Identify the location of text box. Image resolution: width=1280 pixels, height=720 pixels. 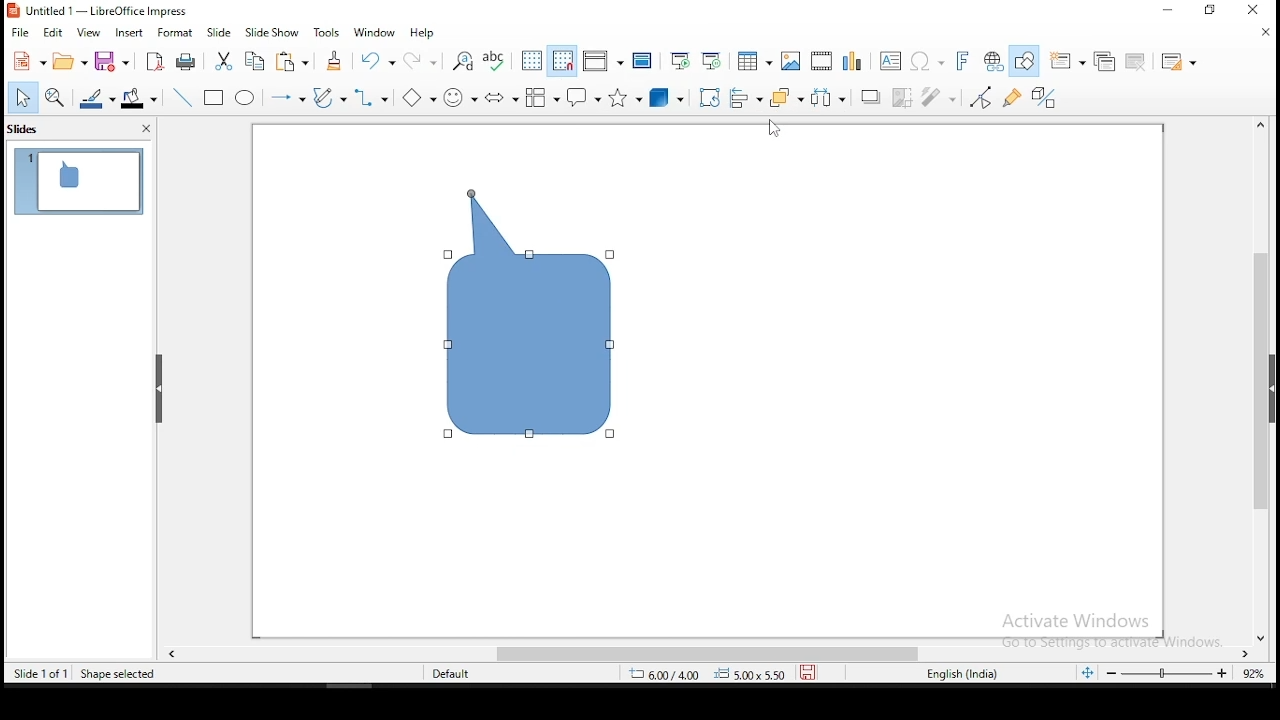
(892, 62).